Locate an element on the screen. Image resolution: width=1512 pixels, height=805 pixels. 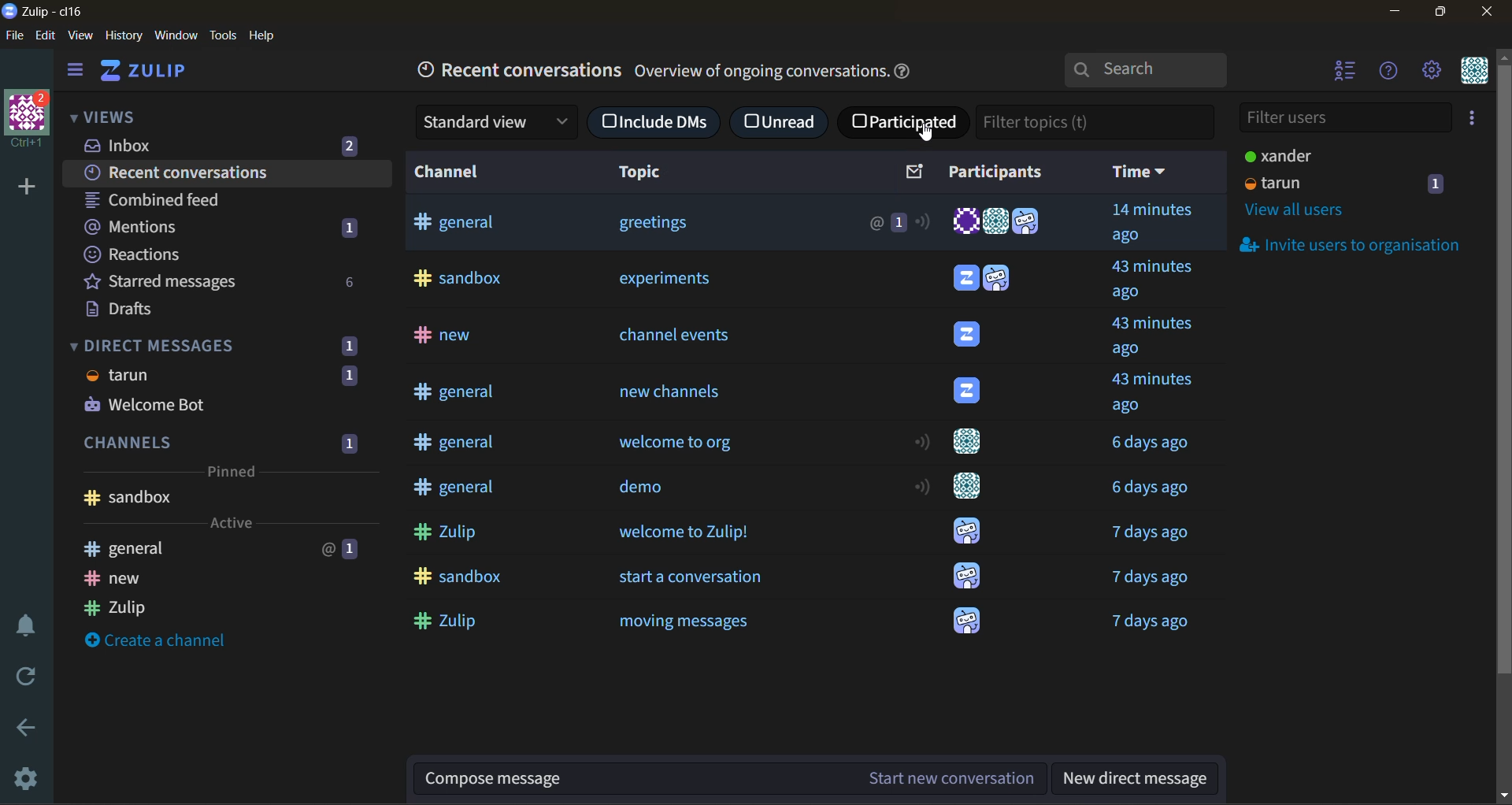
xander is located at coordinates (1342, 154).